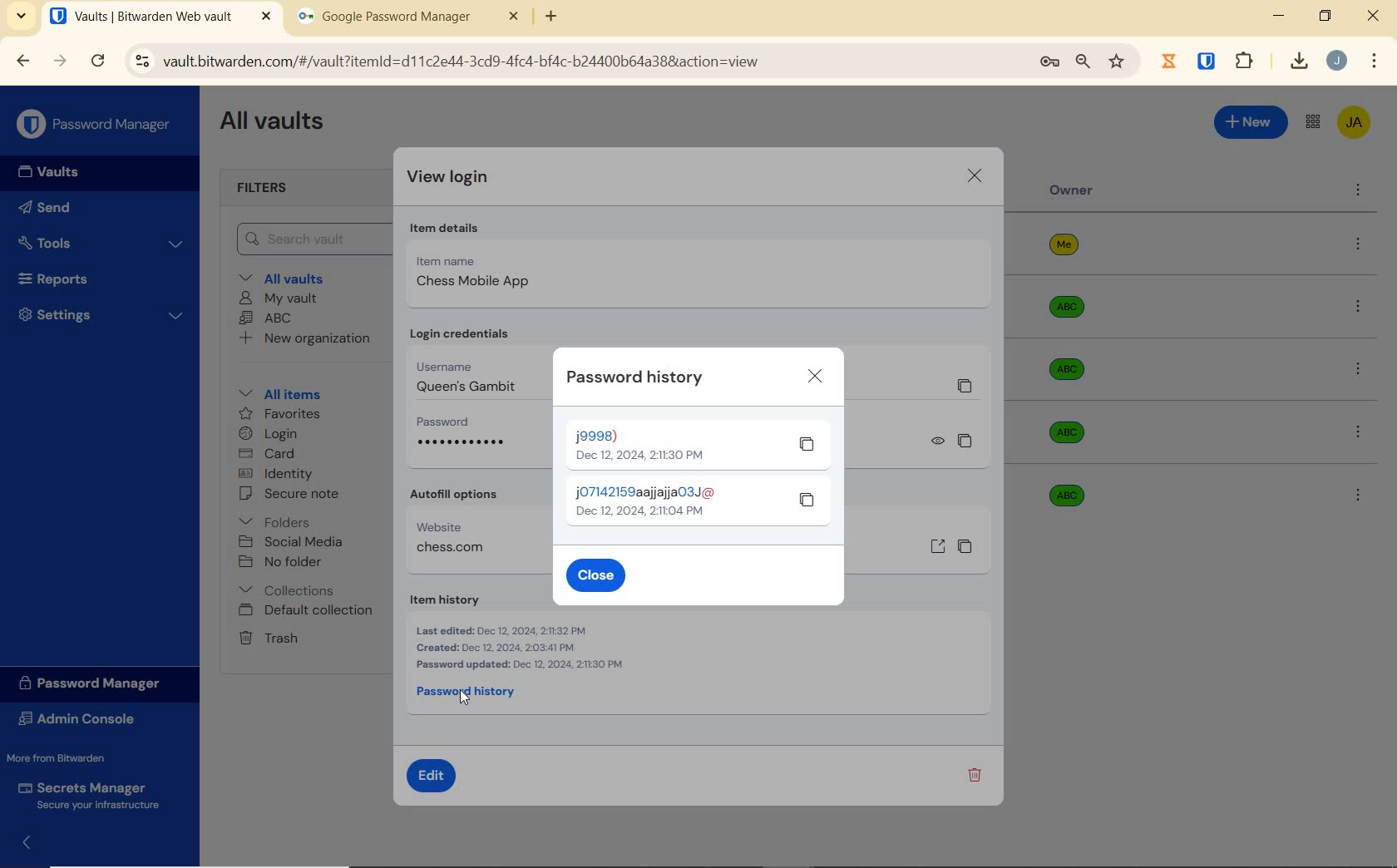  I want to click on Vaults, so click(58, 174).